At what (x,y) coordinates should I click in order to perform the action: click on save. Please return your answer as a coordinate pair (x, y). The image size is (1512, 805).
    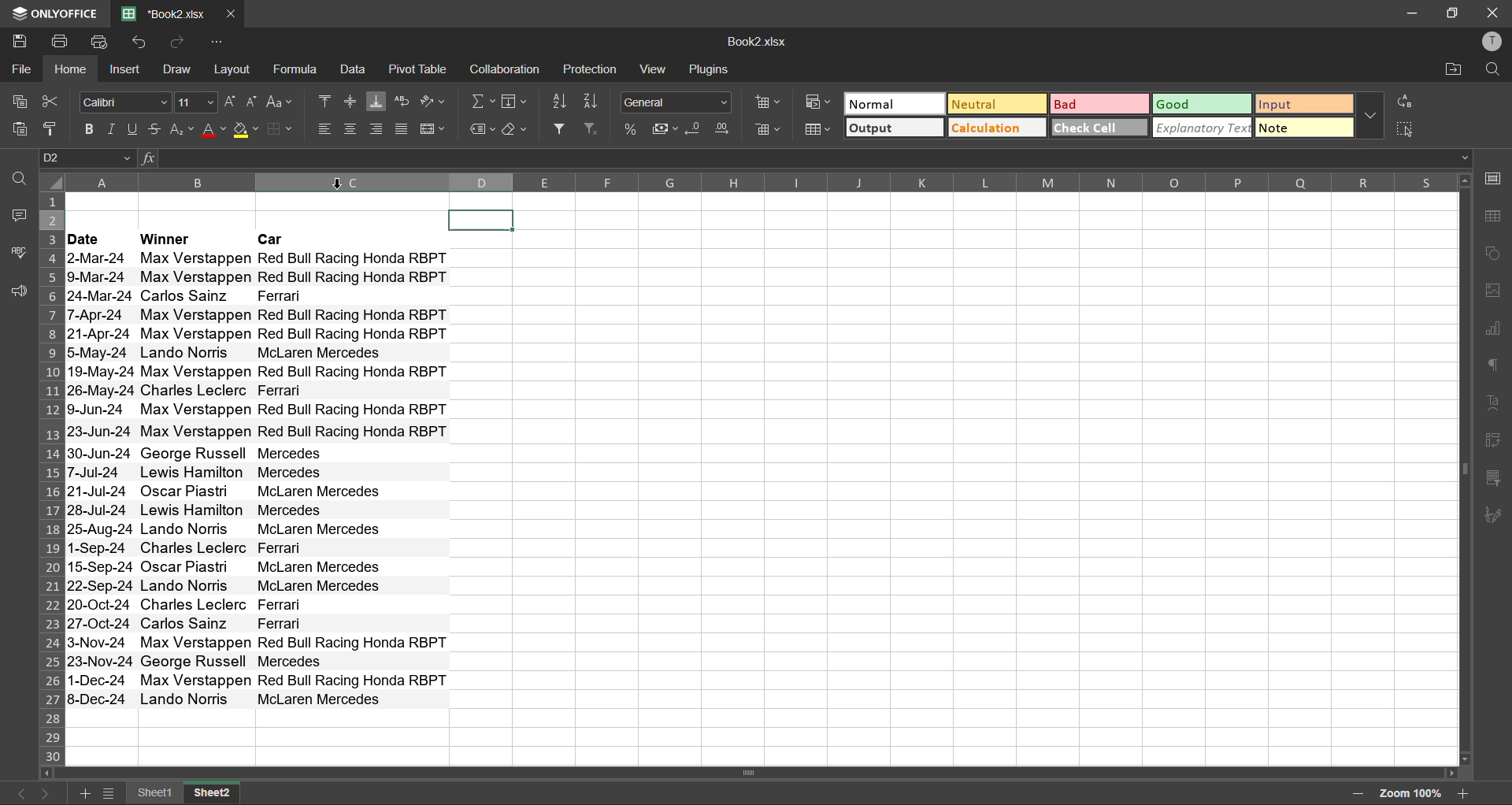
    Looking at the image, I should click on (20, 42).